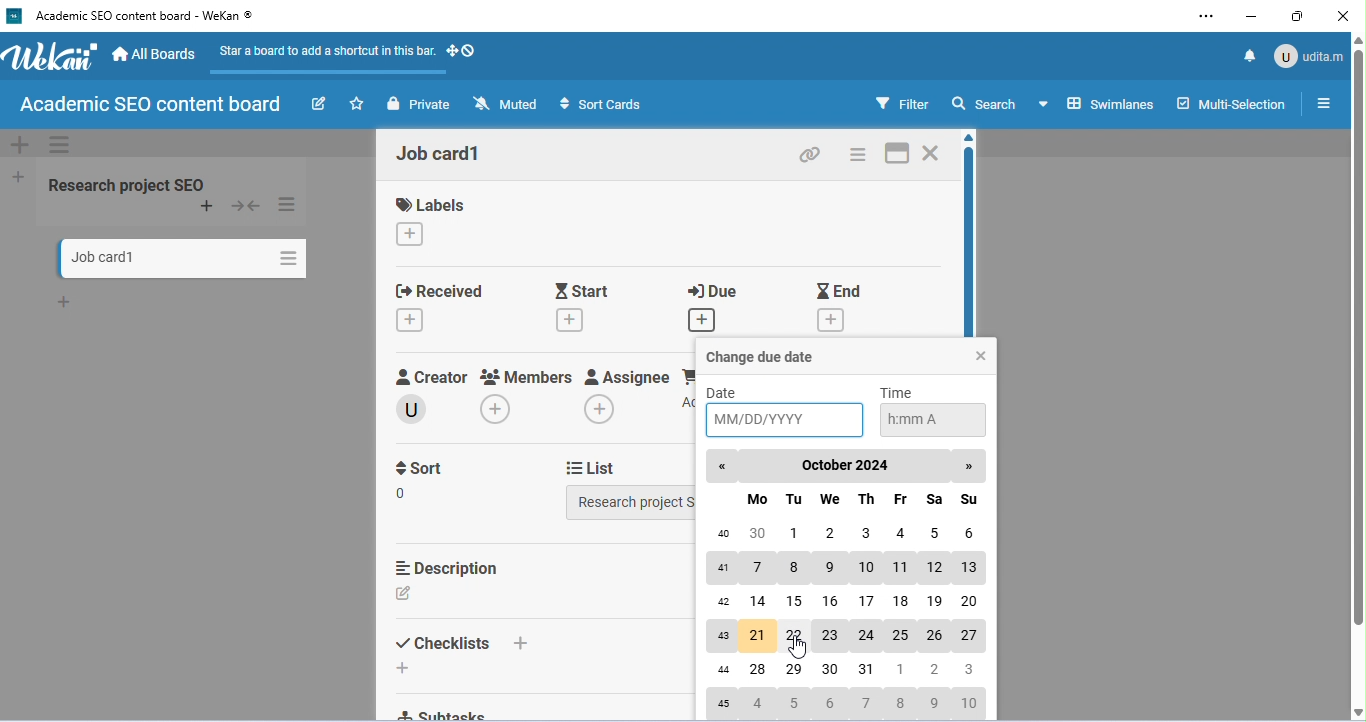 This screenshot has height=722, width=1366. I want to click on admin: udita m, so click(1307, 54).